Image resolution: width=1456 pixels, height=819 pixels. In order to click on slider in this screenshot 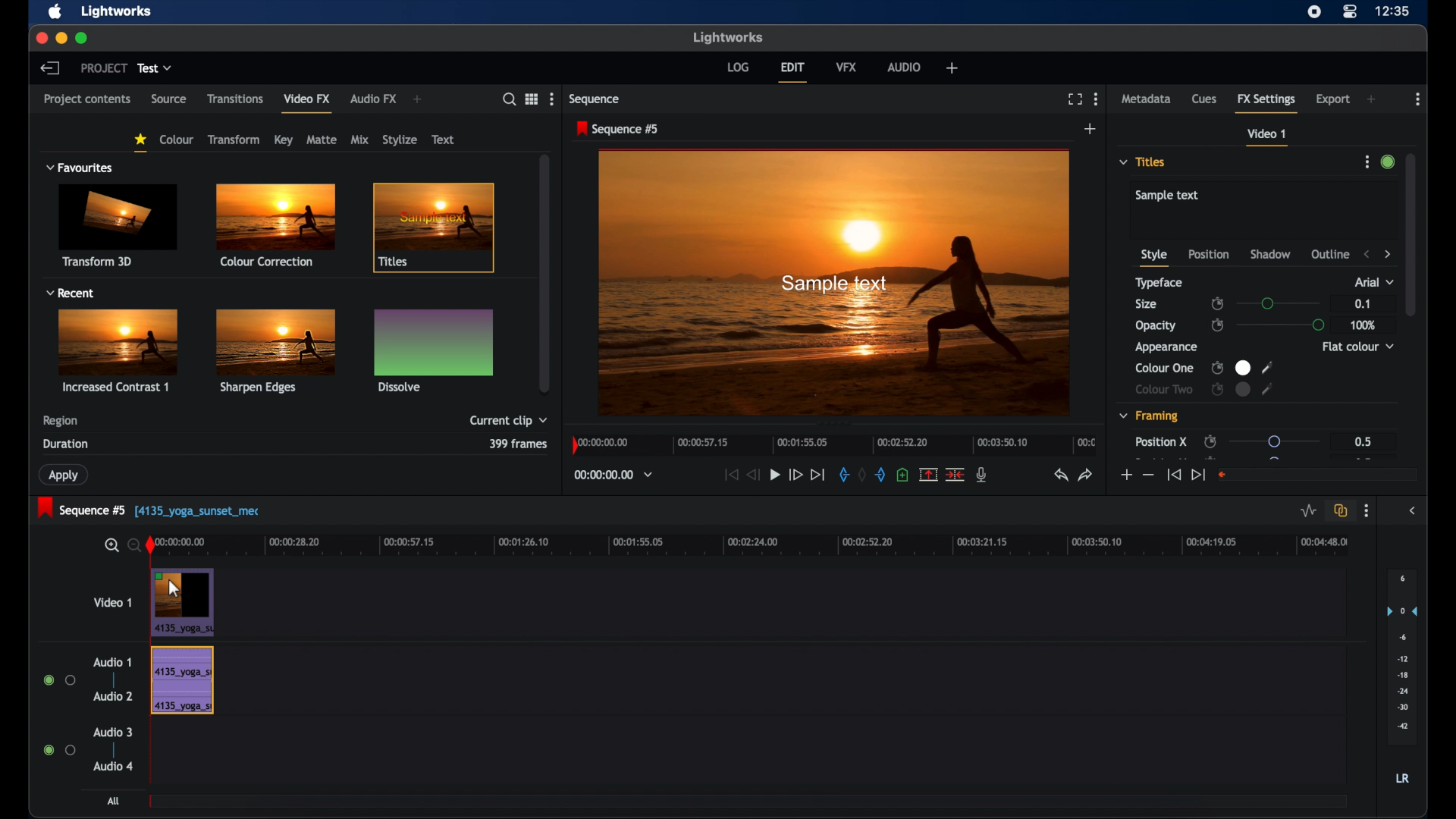, I will do `click(1254, 474)`.